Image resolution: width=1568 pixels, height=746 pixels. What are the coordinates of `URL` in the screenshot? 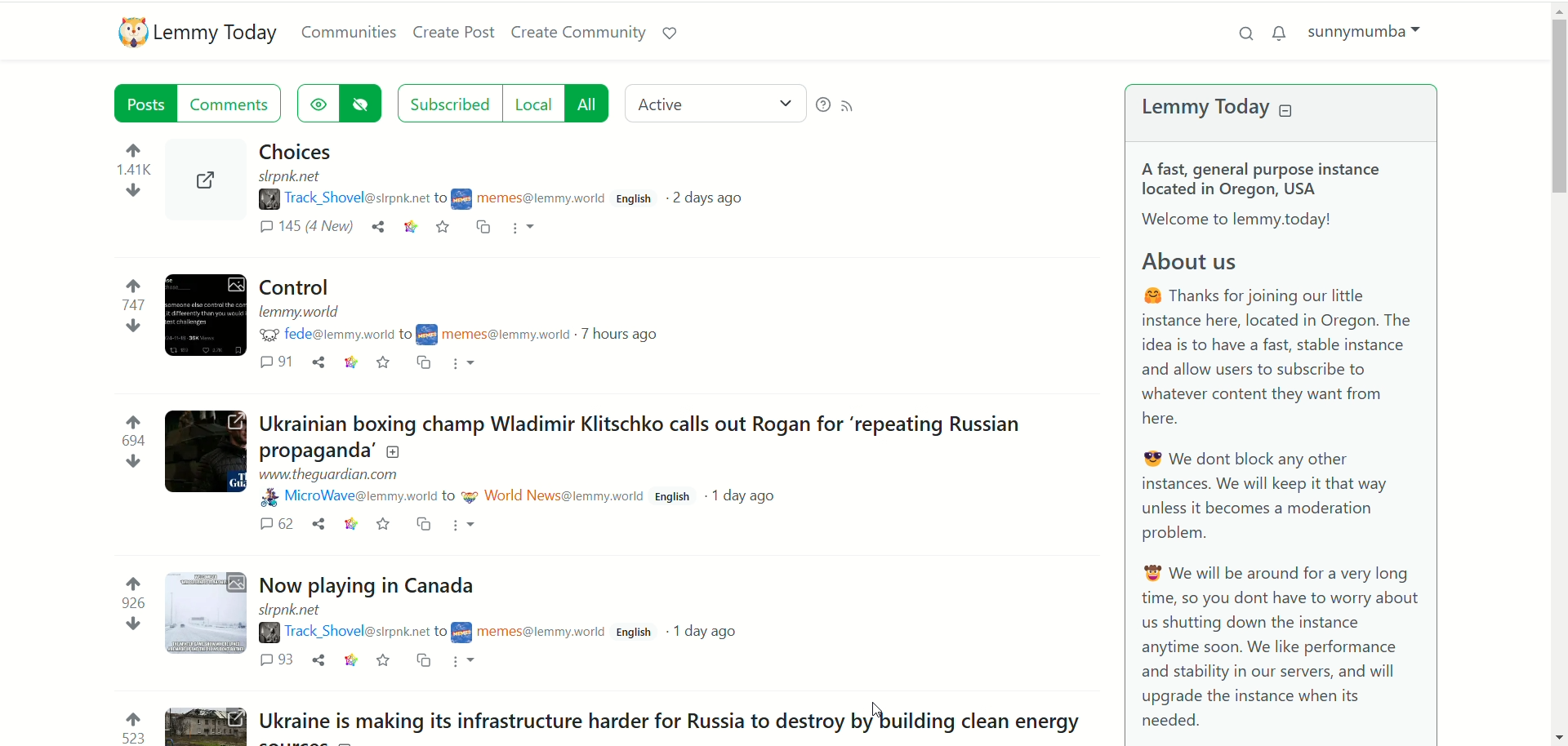 It's located at (292, 175).